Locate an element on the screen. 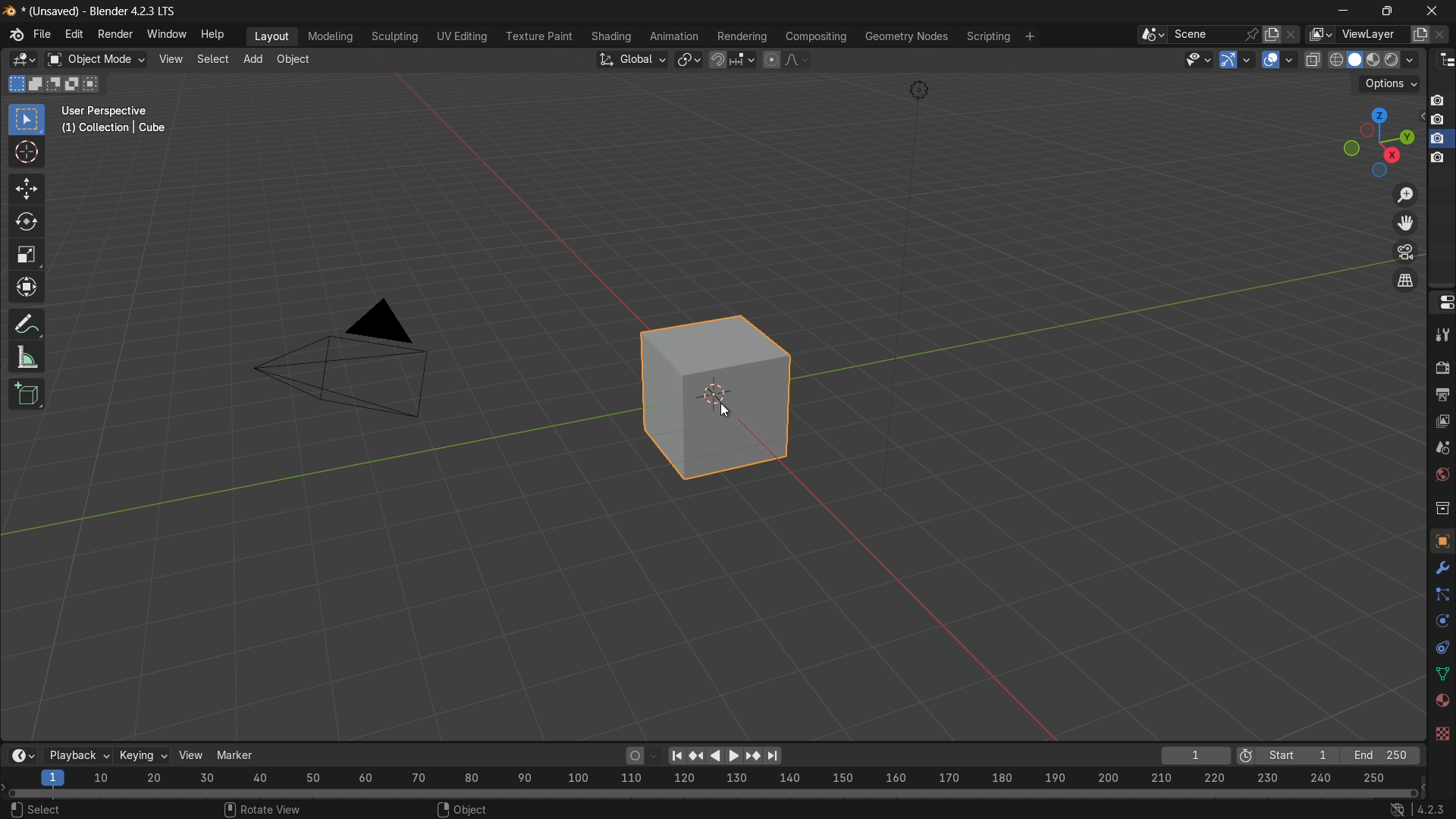  editor type is located at coordinates (1444, 61).